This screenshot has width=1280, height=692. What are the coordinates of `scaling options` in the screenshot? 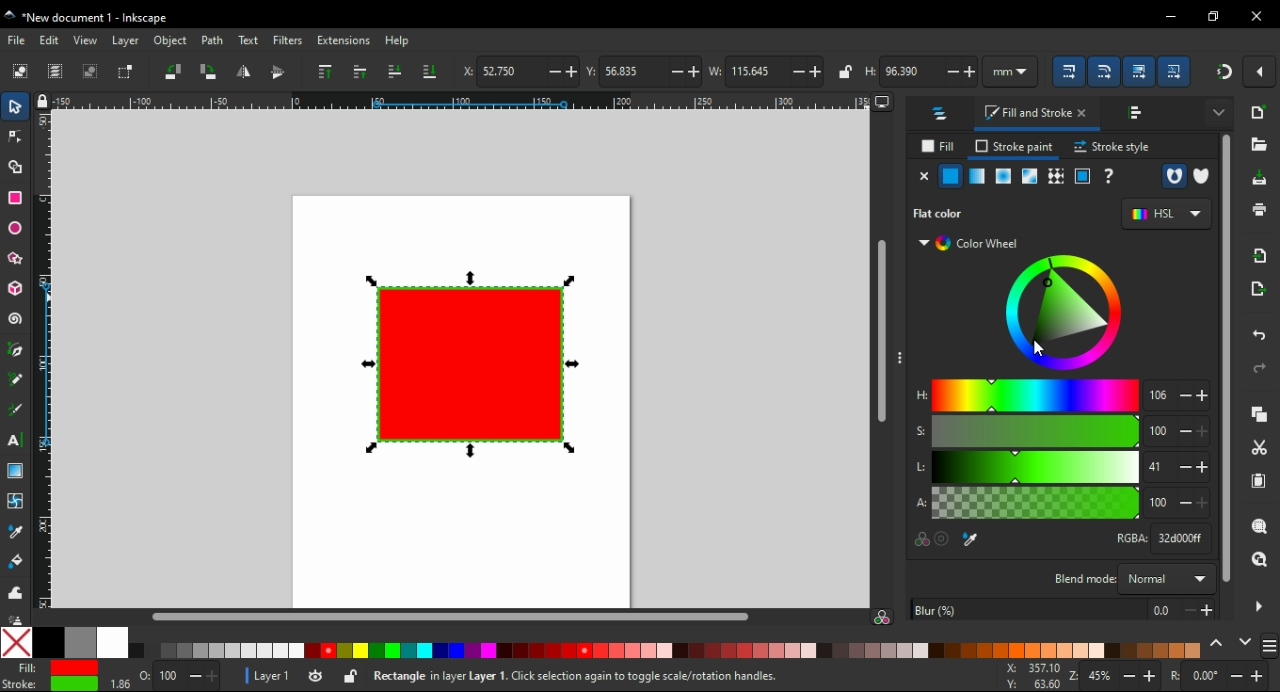 It's located at (1068, 69).